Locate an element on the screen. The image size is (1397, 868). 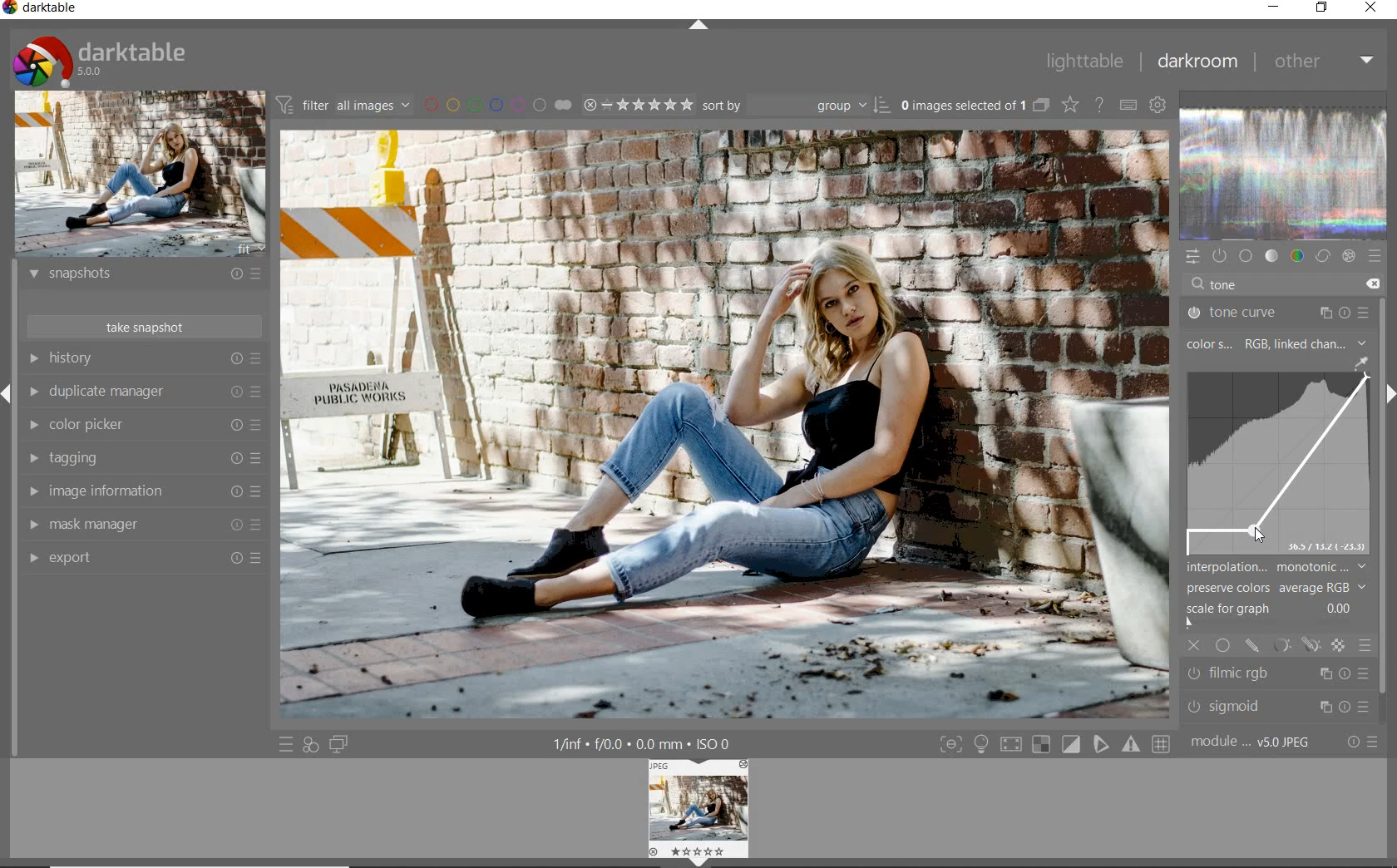
darkroom is located at coordinates (1197, 62).